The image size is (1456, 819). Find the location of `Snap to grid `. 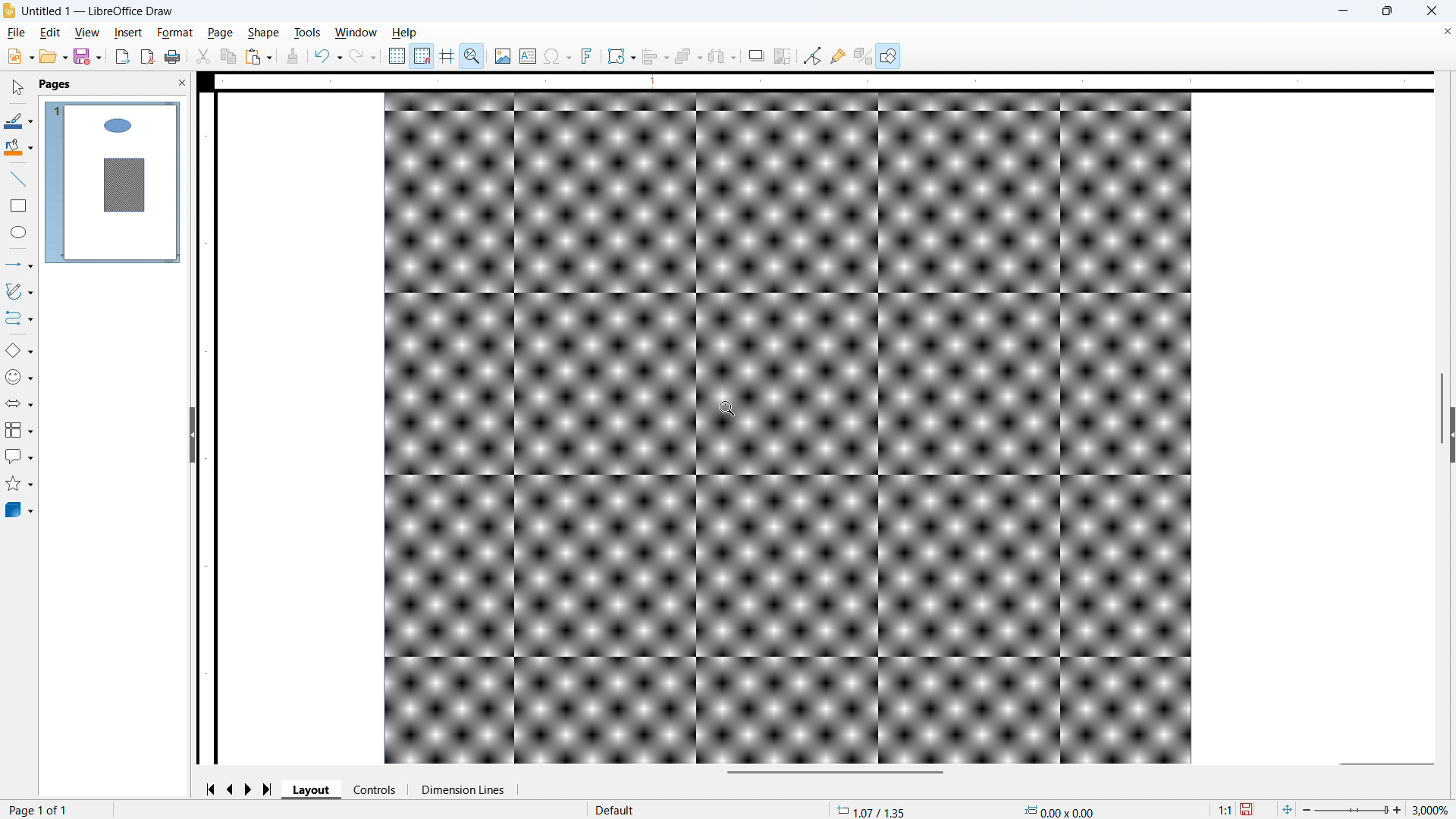

Snap to grid  is located at coordinates (422, 55).